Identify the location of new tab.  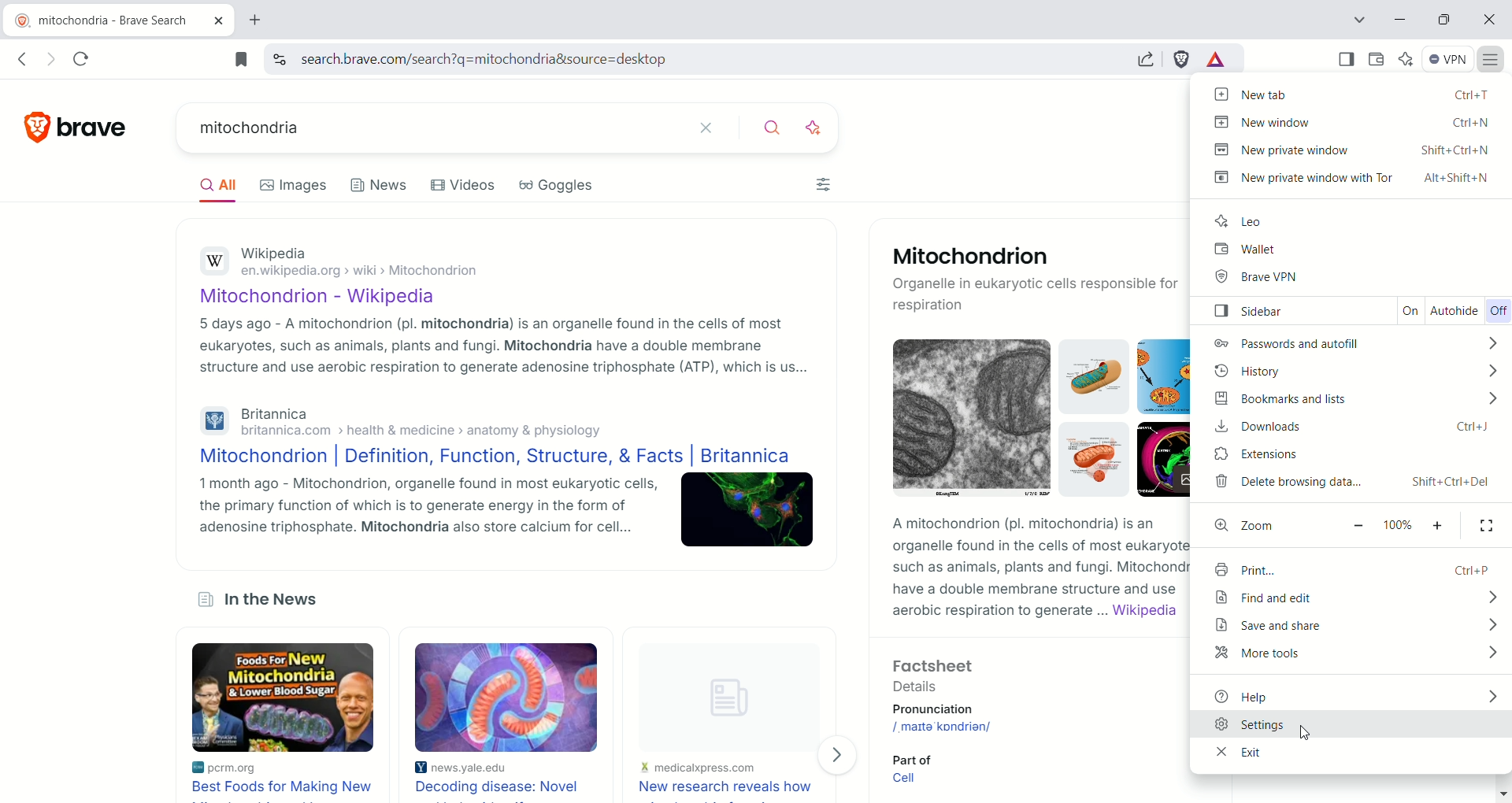
(1354, 93).